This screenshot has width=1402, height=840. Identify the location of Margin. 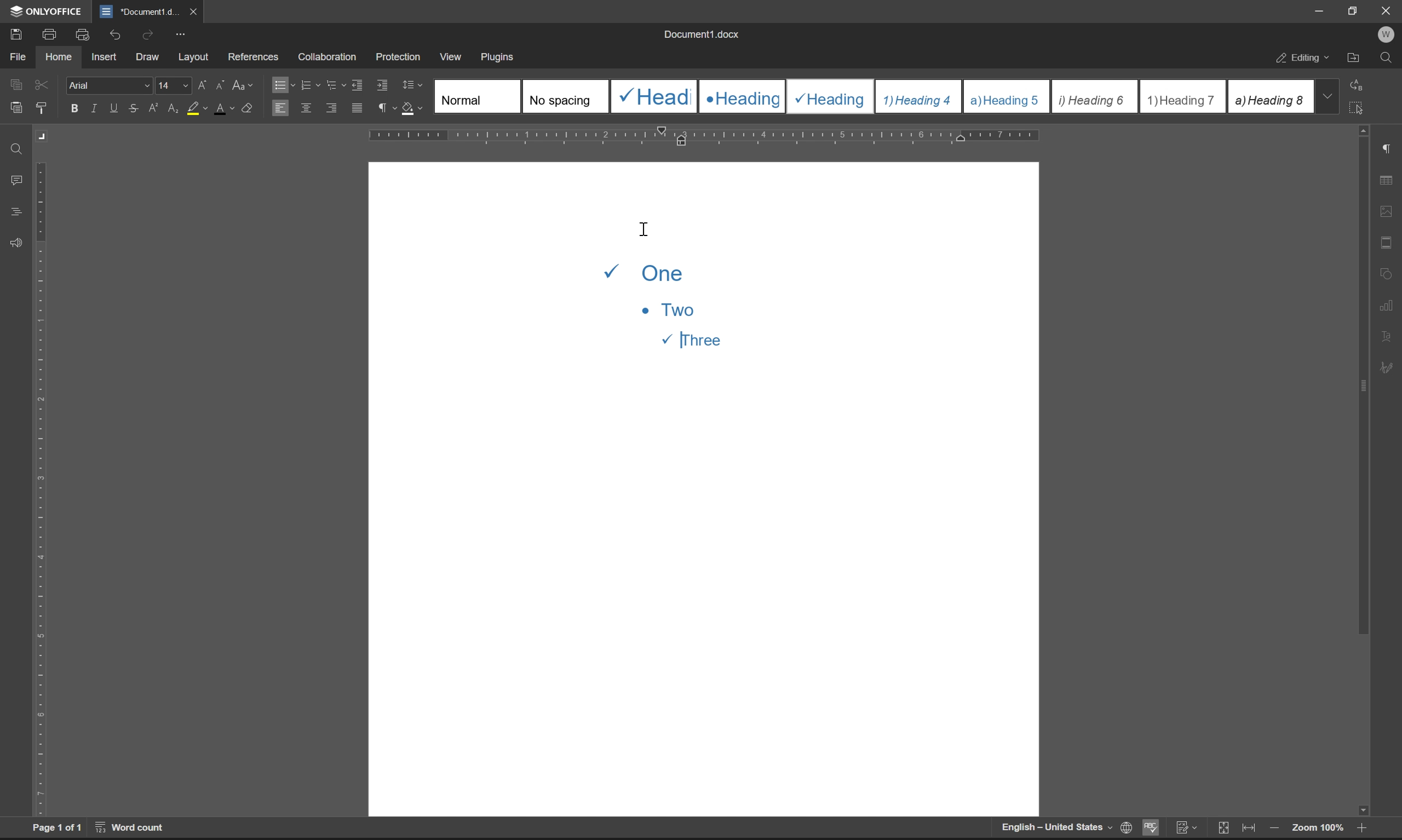
(44, 136).